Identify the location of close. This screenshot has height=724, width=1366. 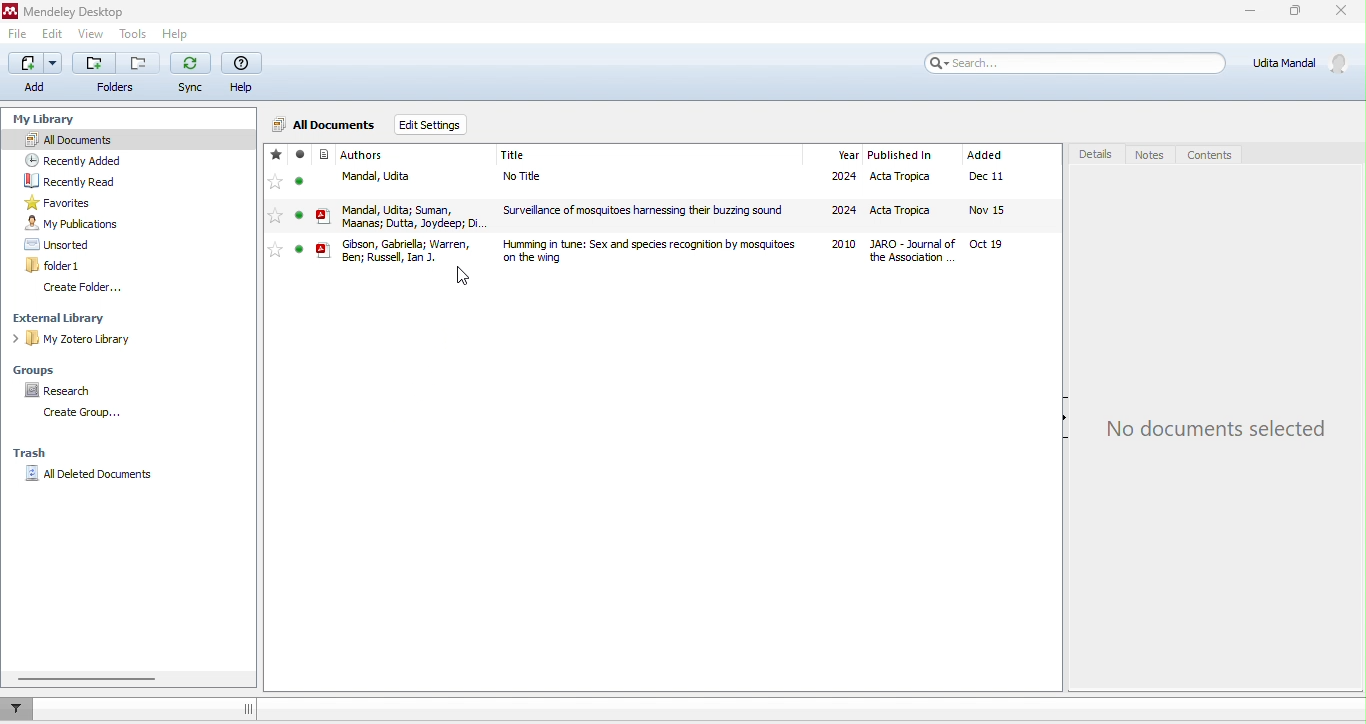
(1340, 14).